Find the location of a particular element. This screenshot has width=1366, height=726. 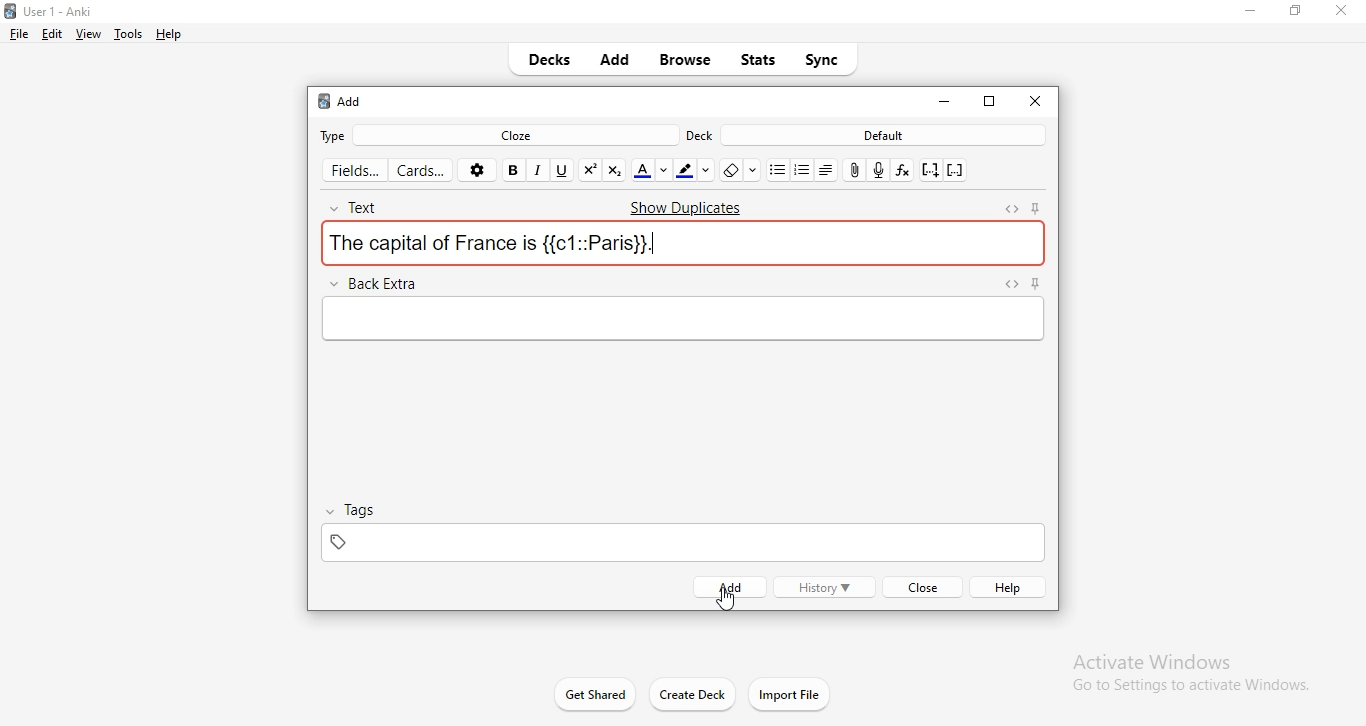

font is located at coordinates (651, 170).